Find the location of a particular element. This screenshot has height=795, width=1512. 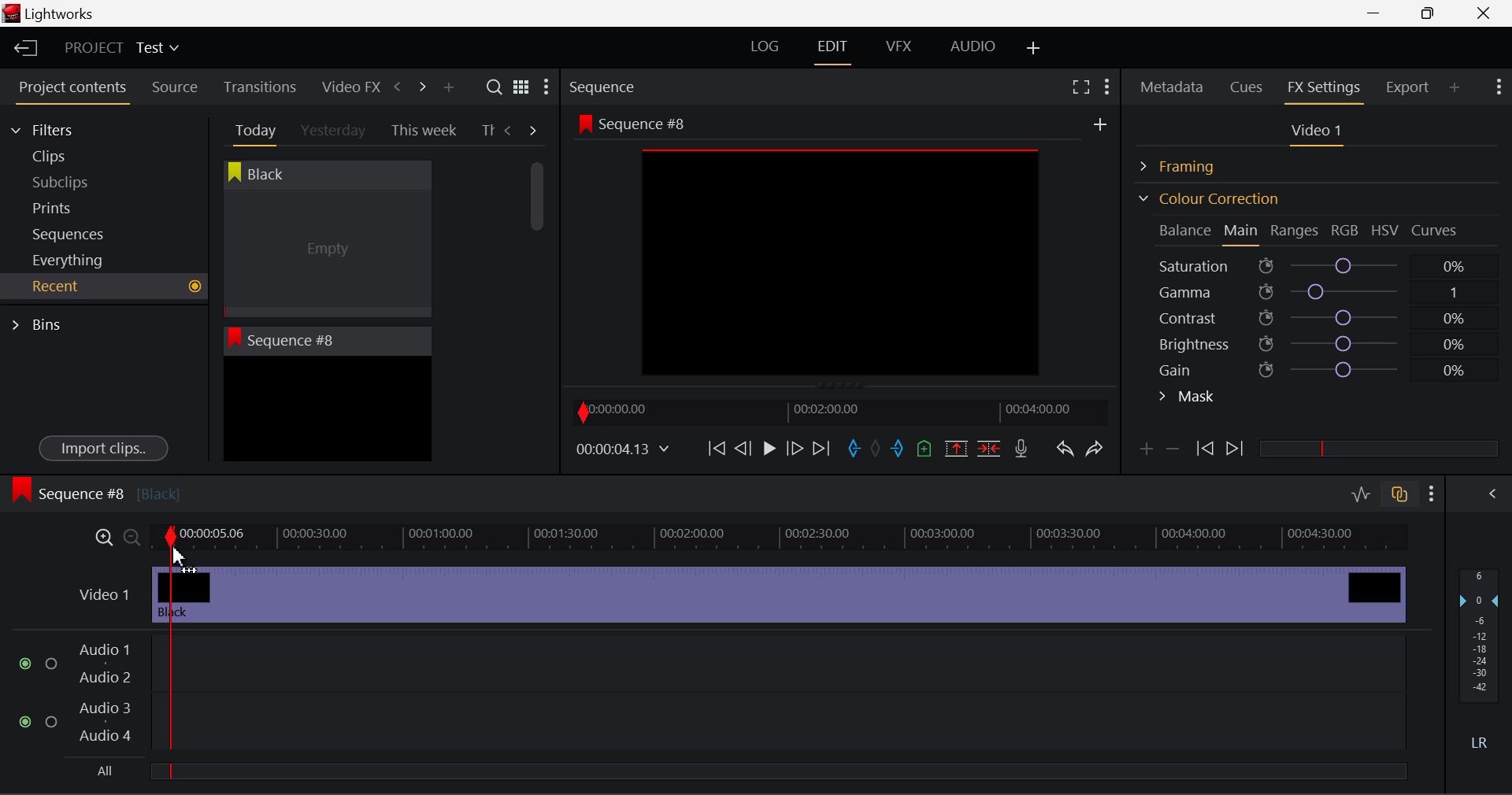

Project Timeline is located at coordinates (778, 537).